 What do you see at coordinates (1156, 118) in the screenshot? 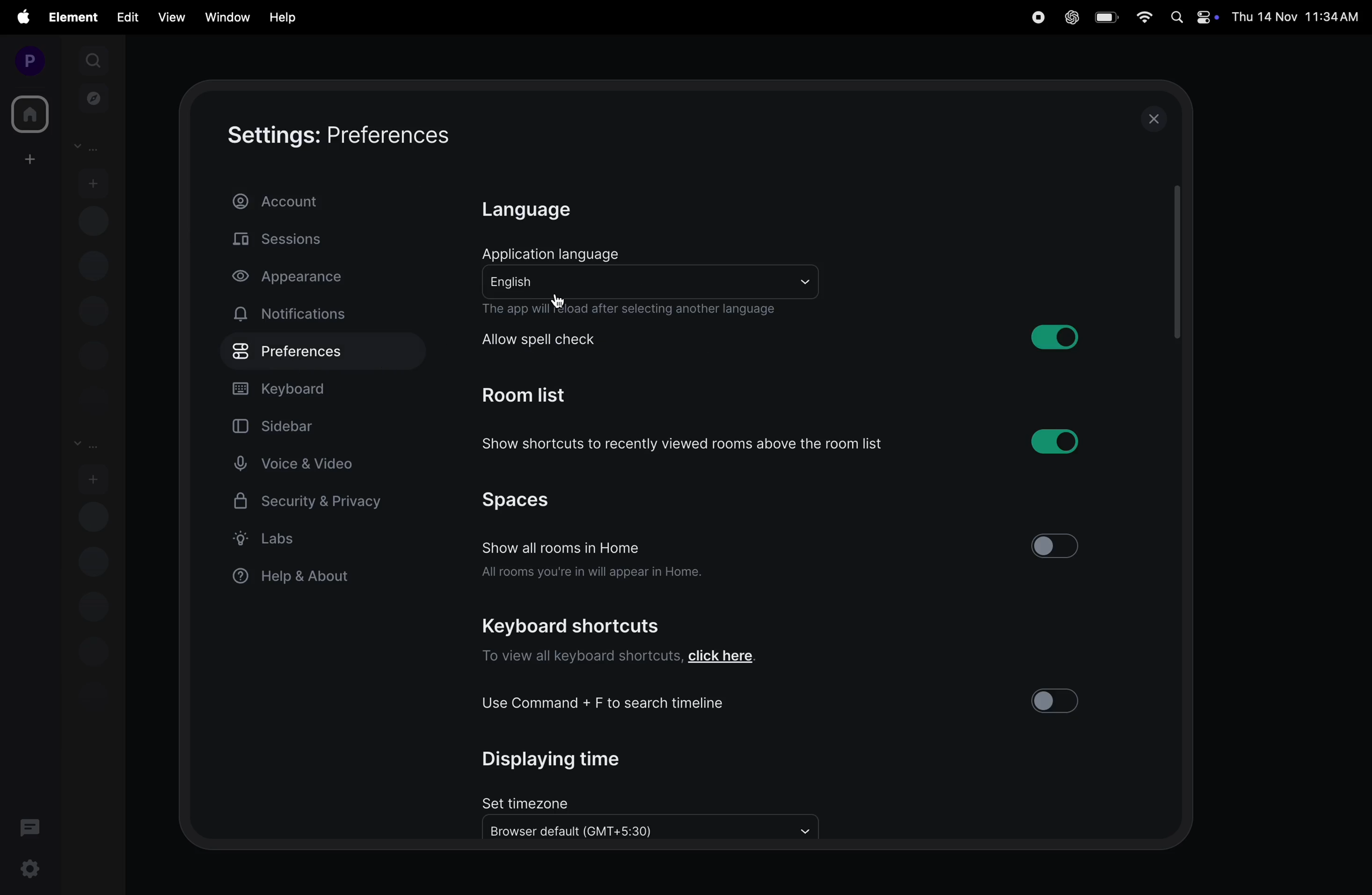
I see `close` at bounding box center [1156, 118].